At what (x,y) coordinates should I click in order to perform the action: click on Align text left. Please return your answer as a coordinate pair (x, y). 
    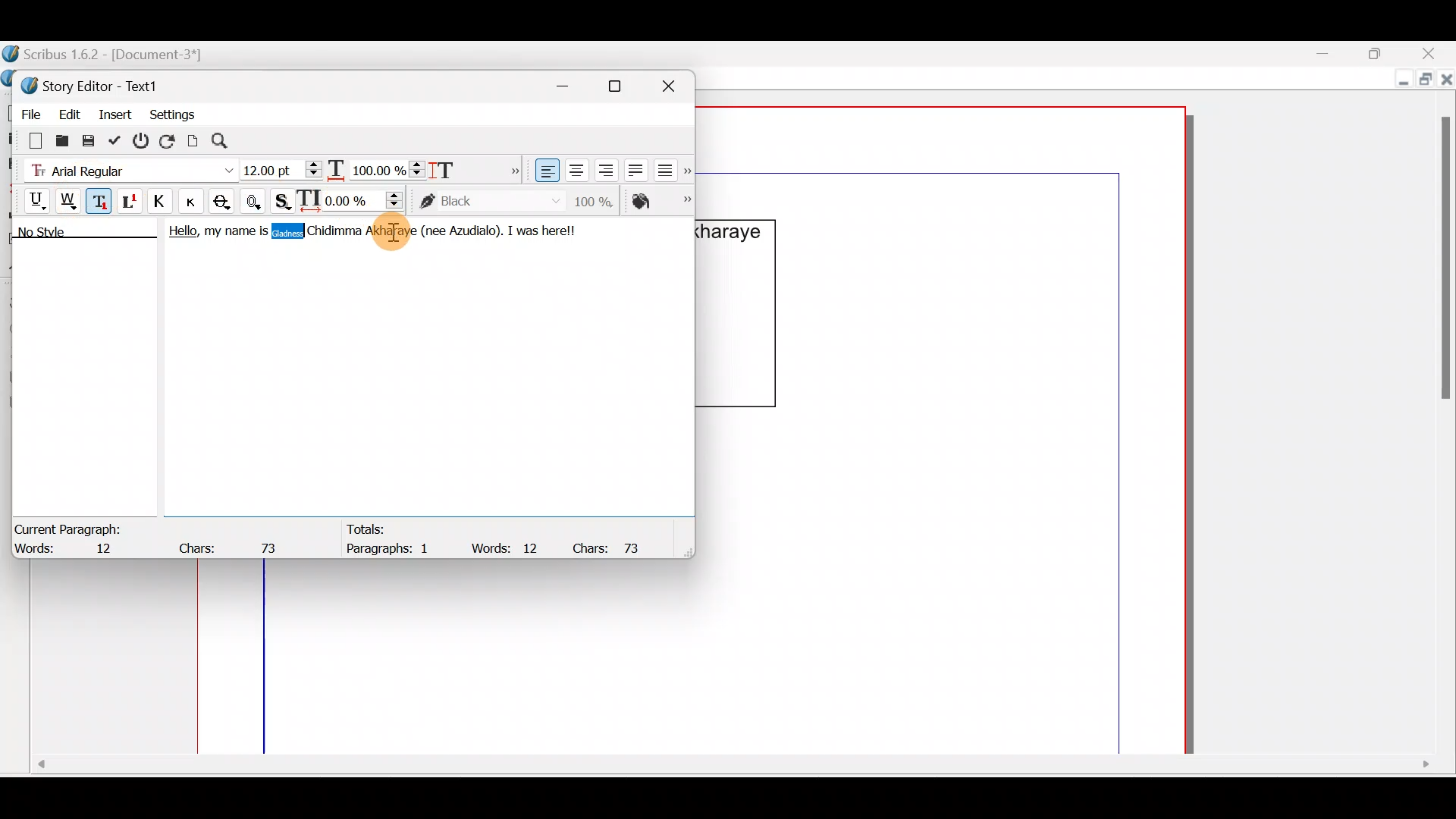
    Looking at the image, I should click on (545, 171).